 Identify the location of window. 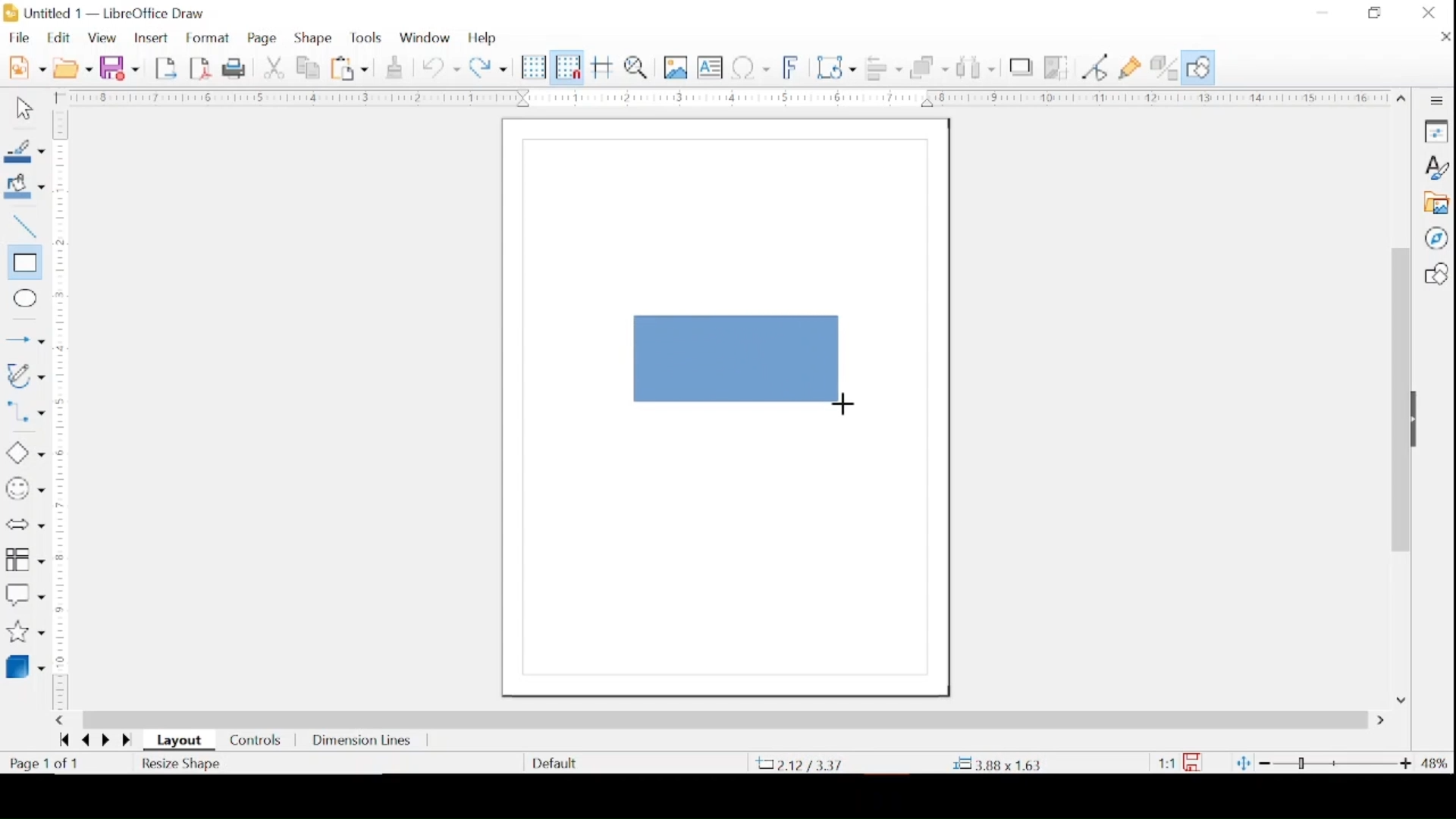
(425, 36).